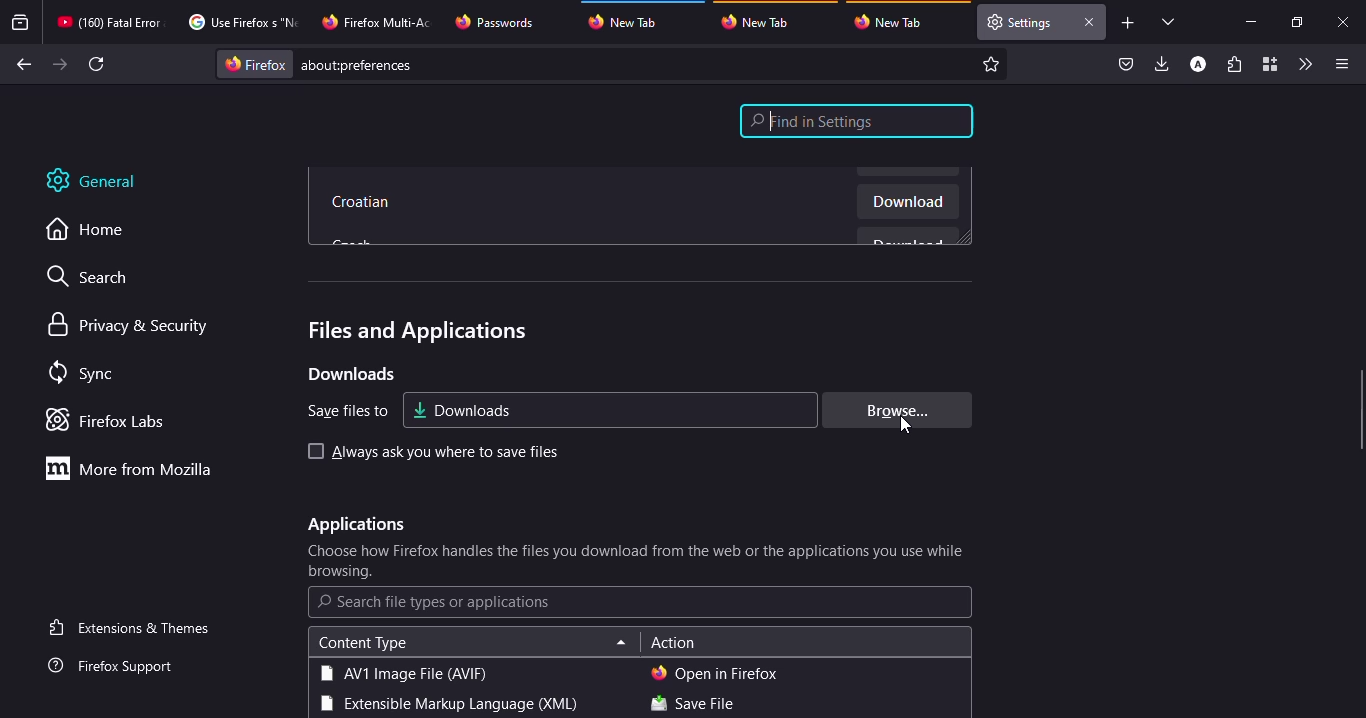  I want to click on tab, so click(379, 20).